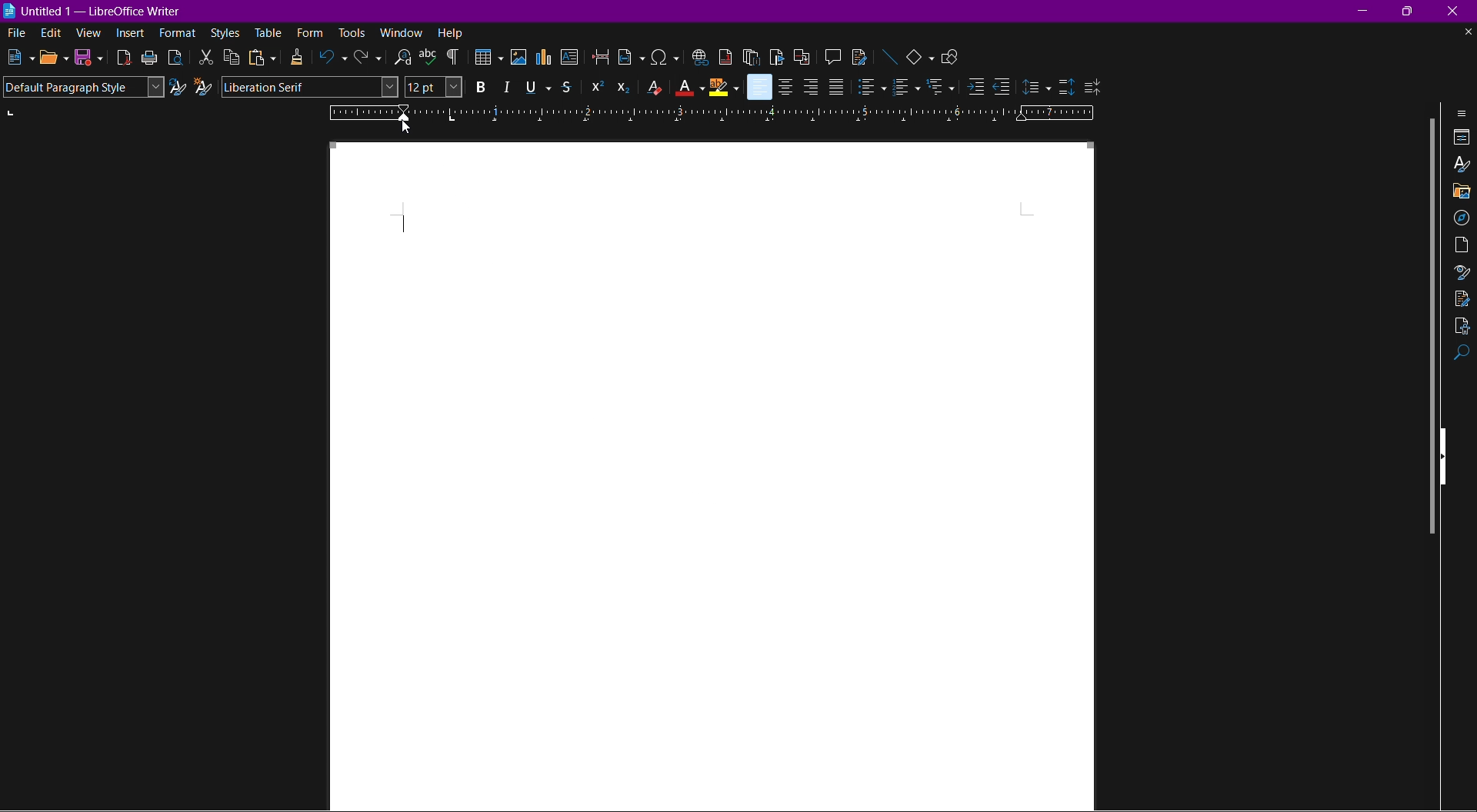 Image resolution: width=1477 pixels, height=812 pixels. Describe the element at coordinates (1092, 85) in the screenshot. I see `Decrease Spacing` at that location.